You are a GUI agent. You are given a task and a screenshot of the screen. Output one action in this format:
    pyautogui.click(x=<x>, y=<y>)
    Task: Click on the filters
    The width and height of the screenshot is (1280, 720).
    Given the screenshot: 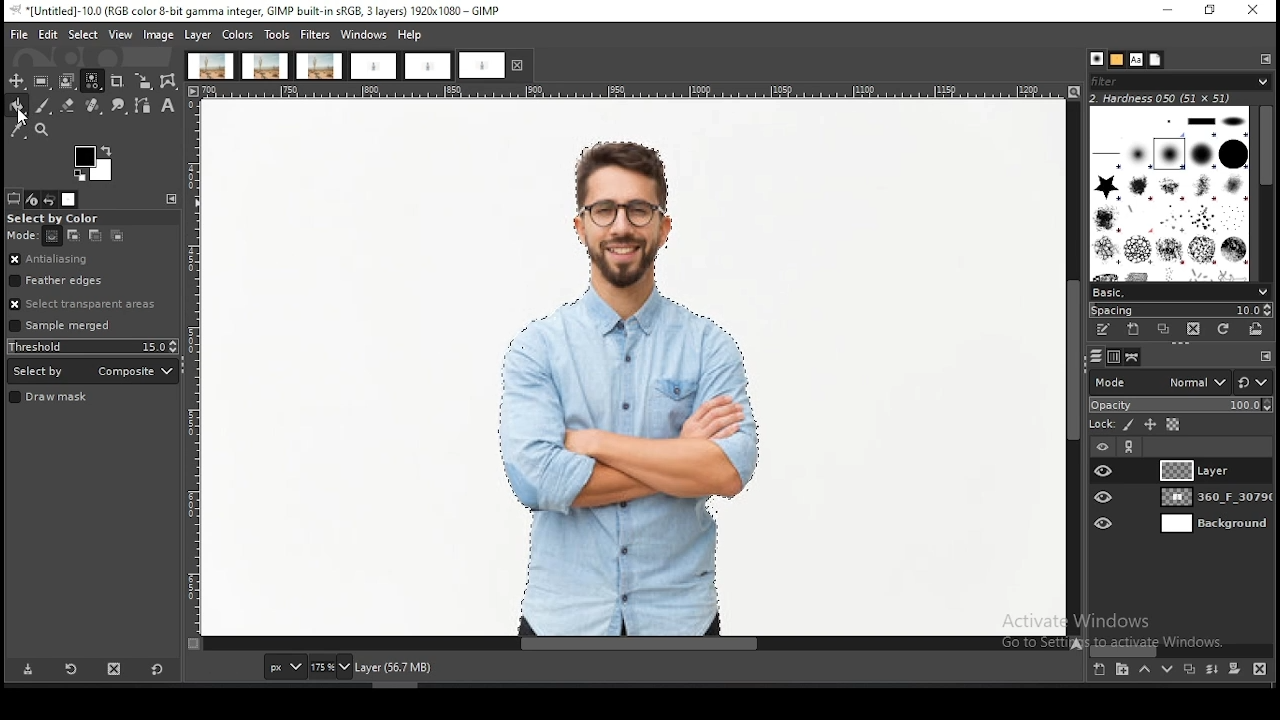 What is the action you would take?
    pyautogui.click(x=316, y=35)
    